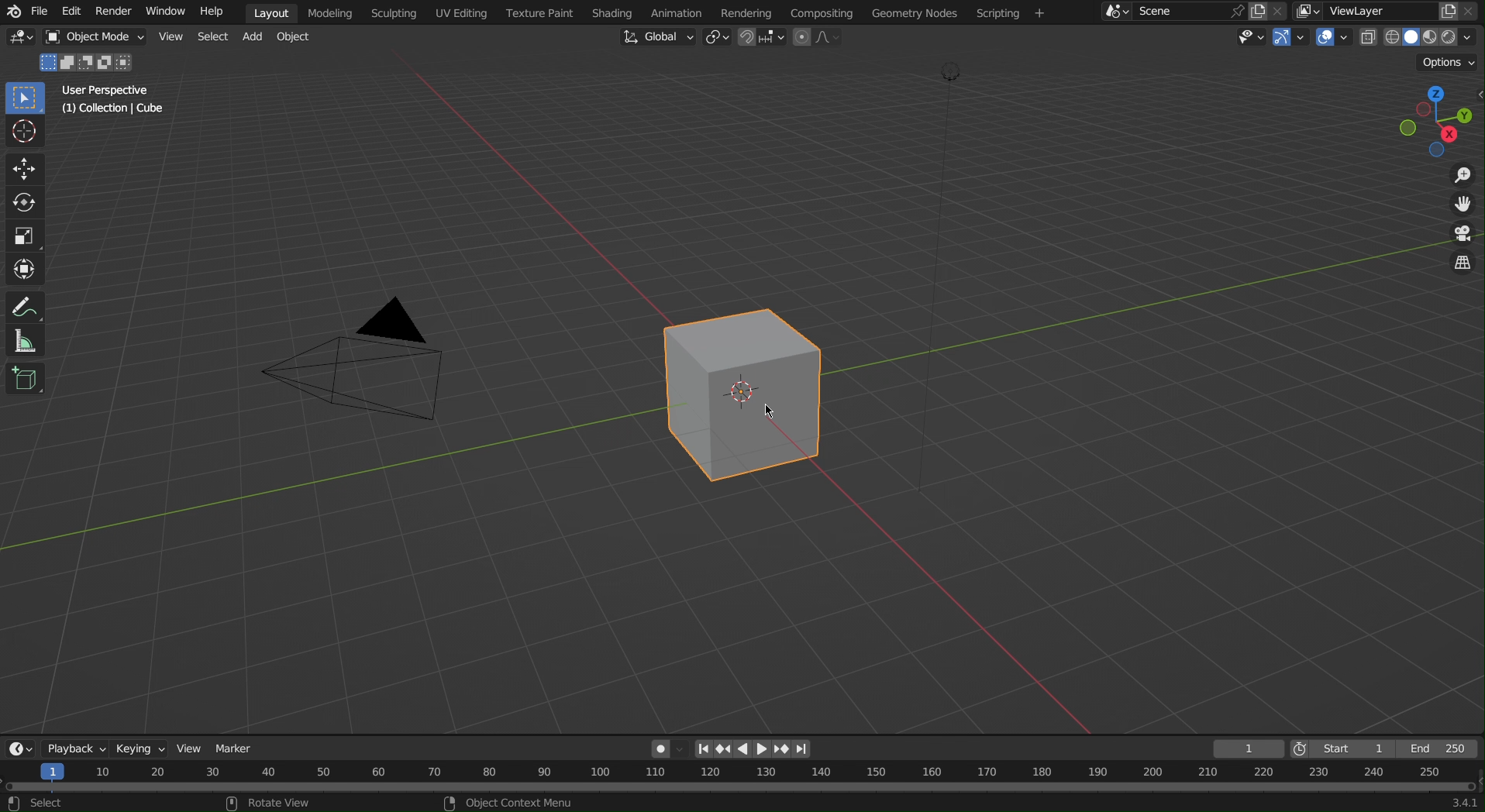 The height and width of the screenshot is (812, 1485). I want to click on Edit, so click(71, 12).